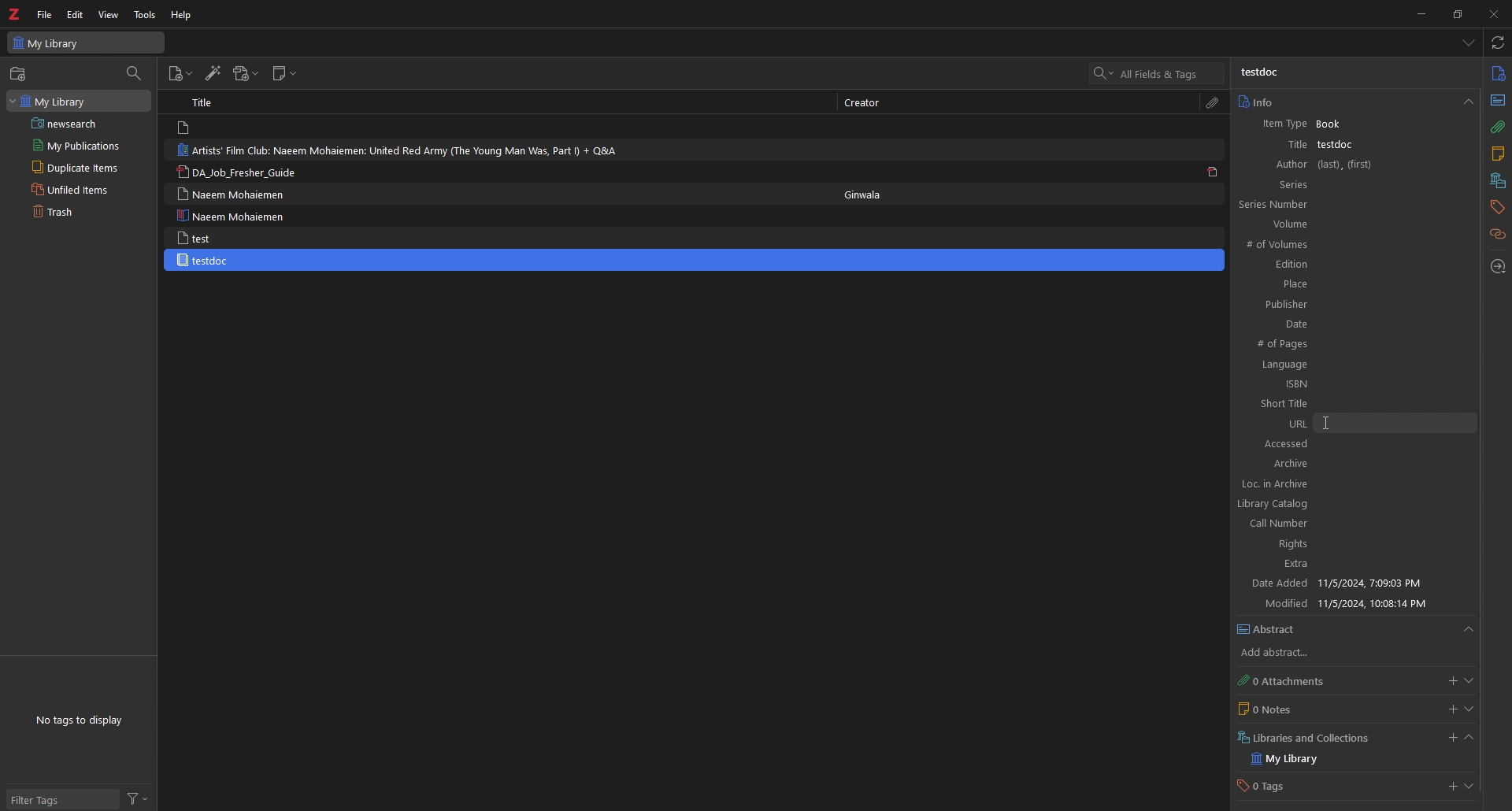 Image resolution: width=1512 pixels, height=811 pixels. Describe the element at coordinates (1497, 267) in the screenshot. I see `locate` at that location.